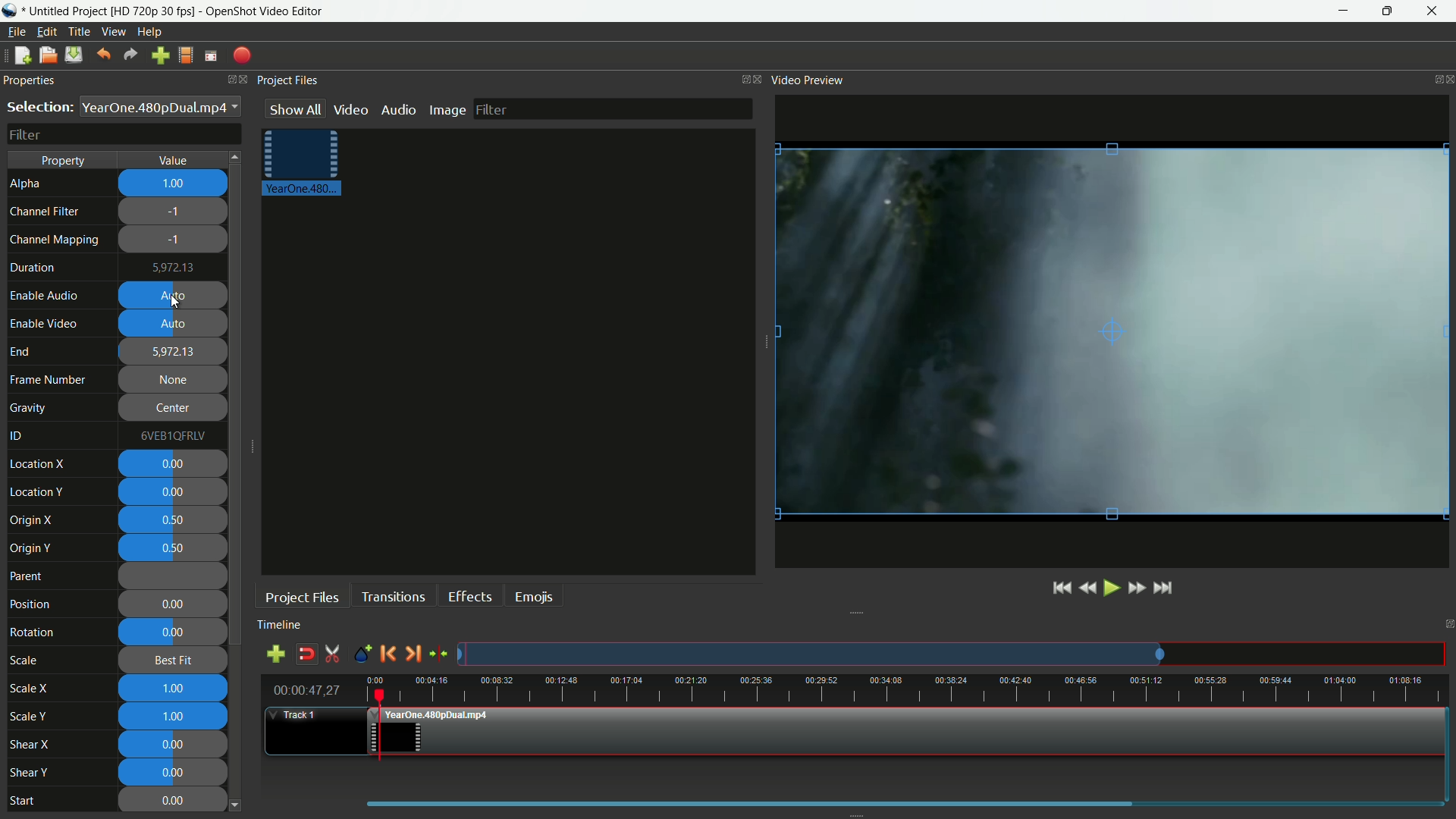  What do you see at coordinates (17, 31) in the screenshot?
I see `file menu` at bounding box center [17, 31].